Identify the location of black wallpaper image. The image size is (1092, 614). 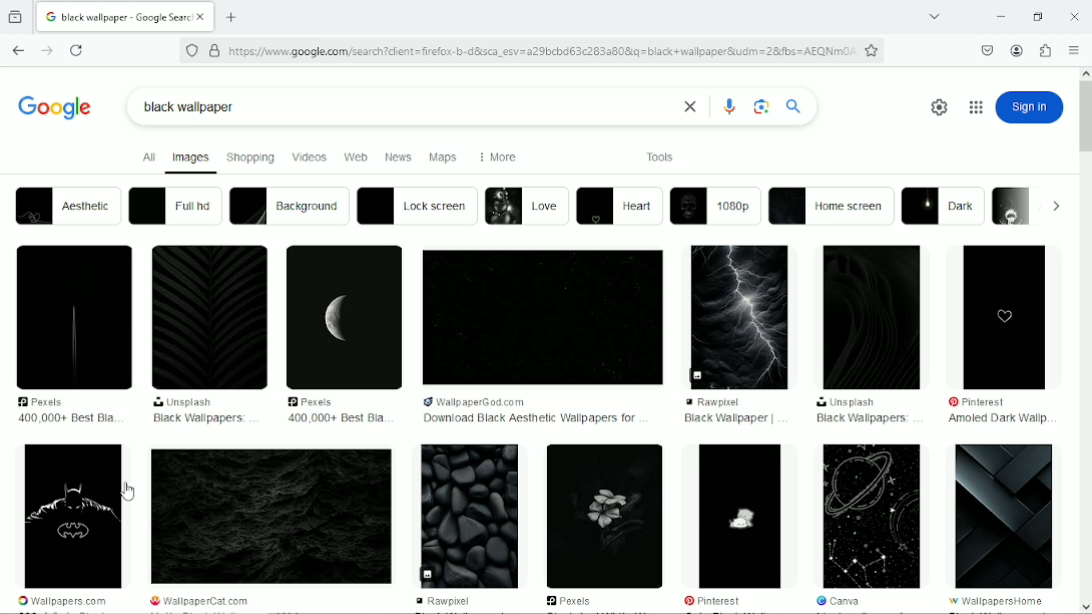
(1005, 516).